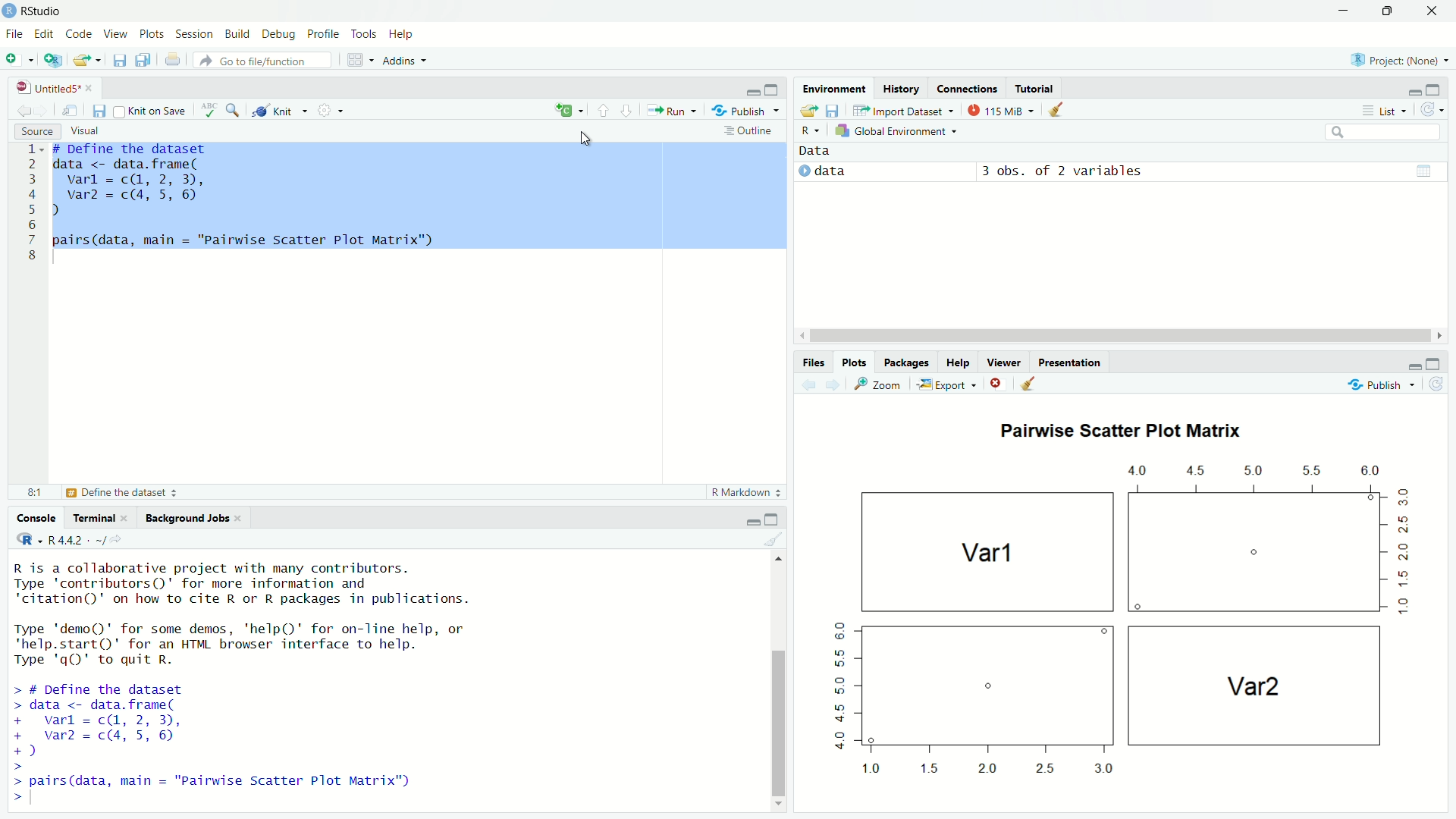  Describe the element at coordinates (79, 34) in the screenshot. I see `Code` at that location.